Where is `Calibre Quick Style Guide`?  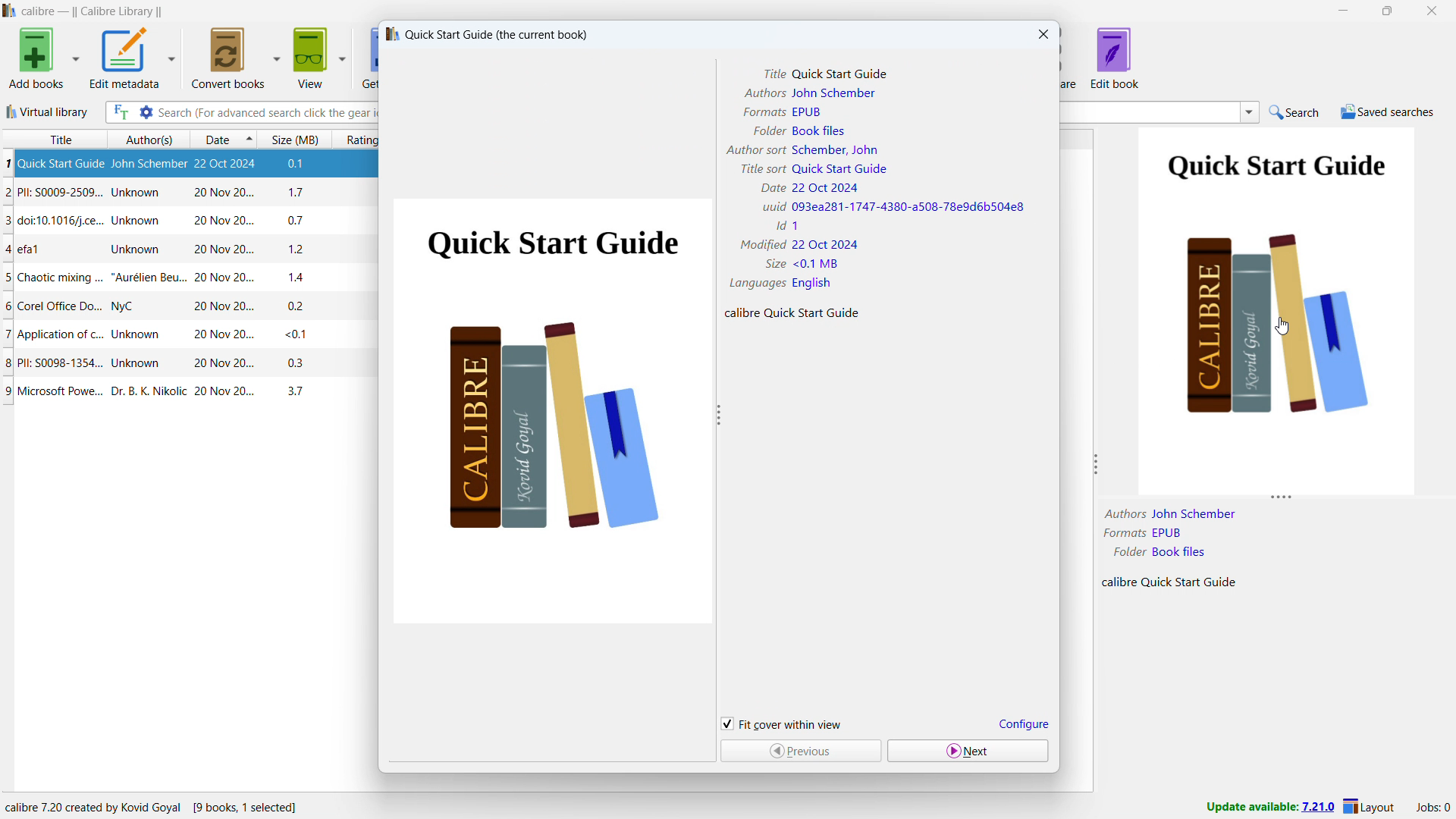 Calibre Quick Style Guide is located at coordinates (791, 313).